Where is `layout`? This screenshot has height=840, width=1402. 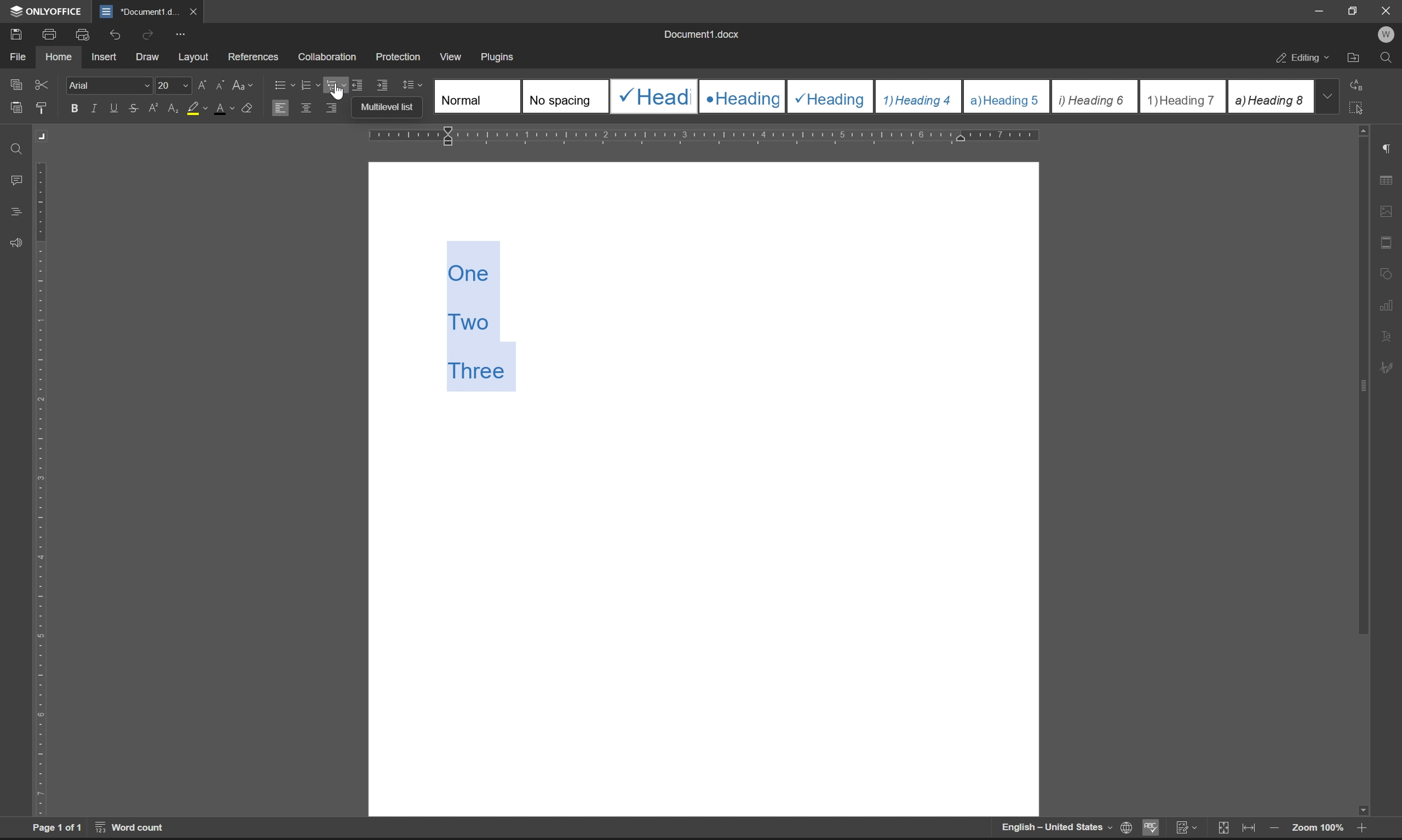
layout is located at coordinates (194, 57).